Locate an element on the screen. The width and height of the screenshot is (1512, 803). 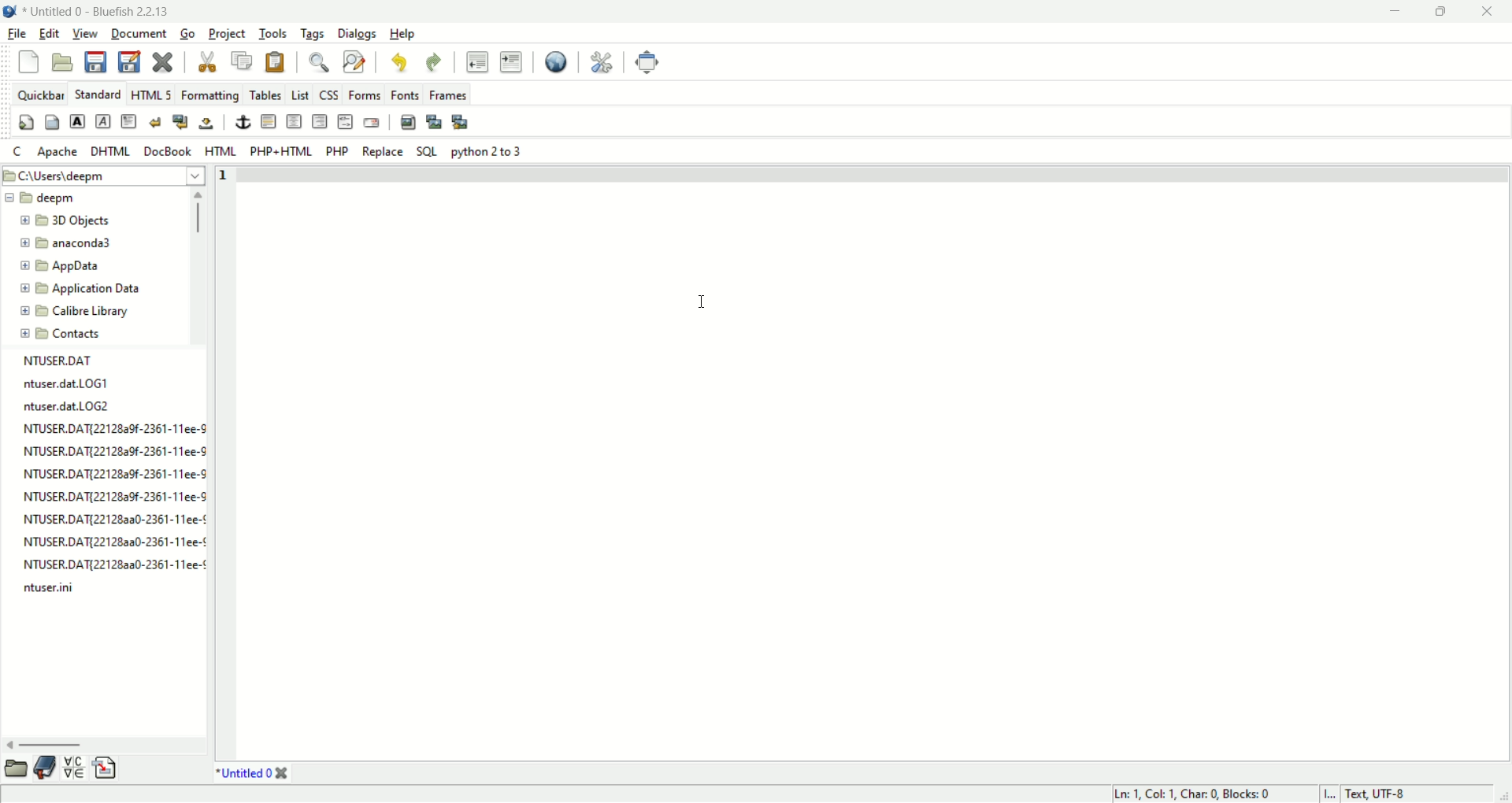
NTUSER.DAT{2212829f-2361-11ee-9 is located at coordinates (117, 429).